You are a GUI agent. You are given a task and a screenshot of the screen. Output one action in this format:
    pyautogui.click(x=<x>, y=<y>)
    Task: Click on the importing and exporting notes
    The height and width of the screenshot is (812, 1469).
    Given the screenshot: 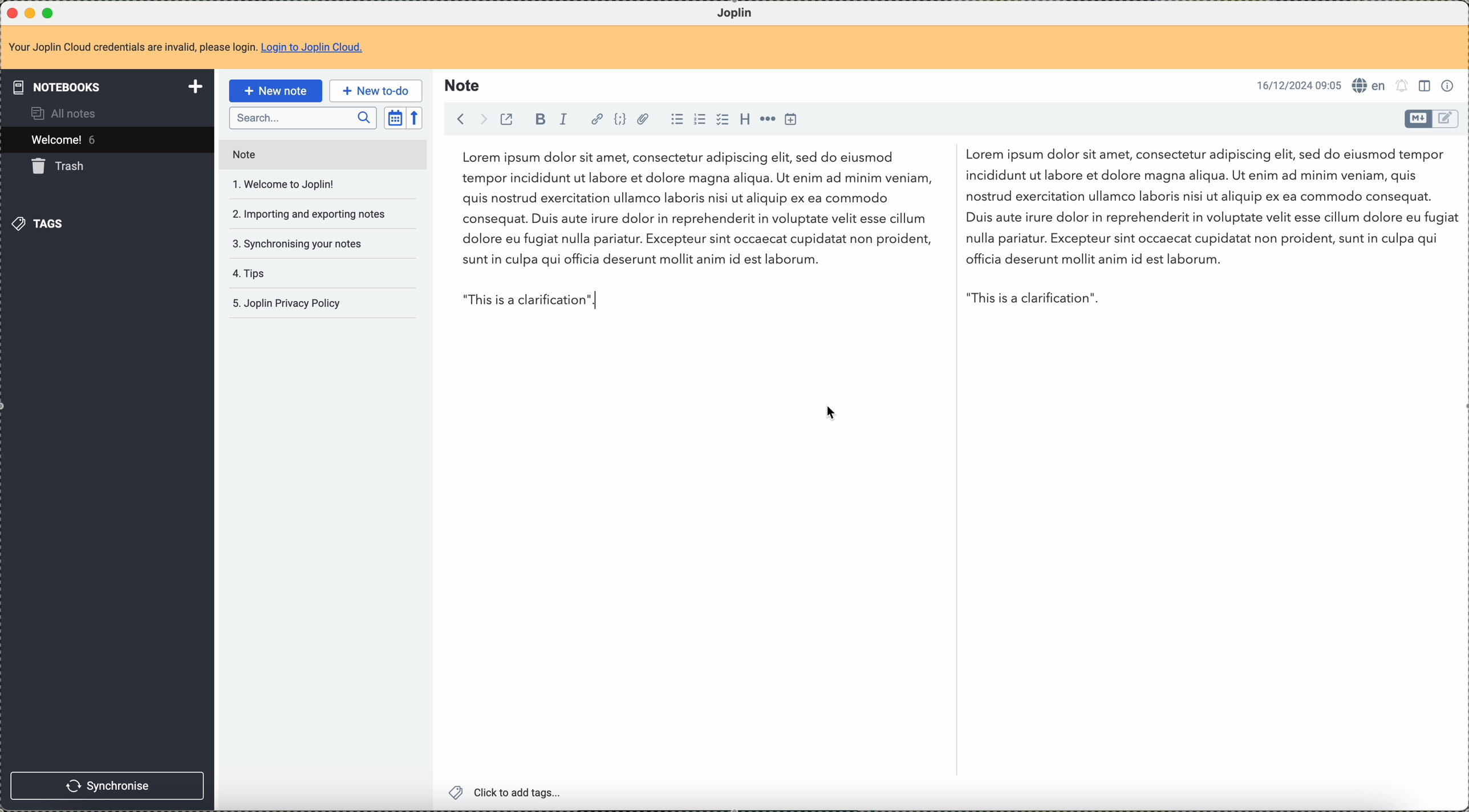 What is the action you would take?
    pyautogui.click(x=312, y=215)
    